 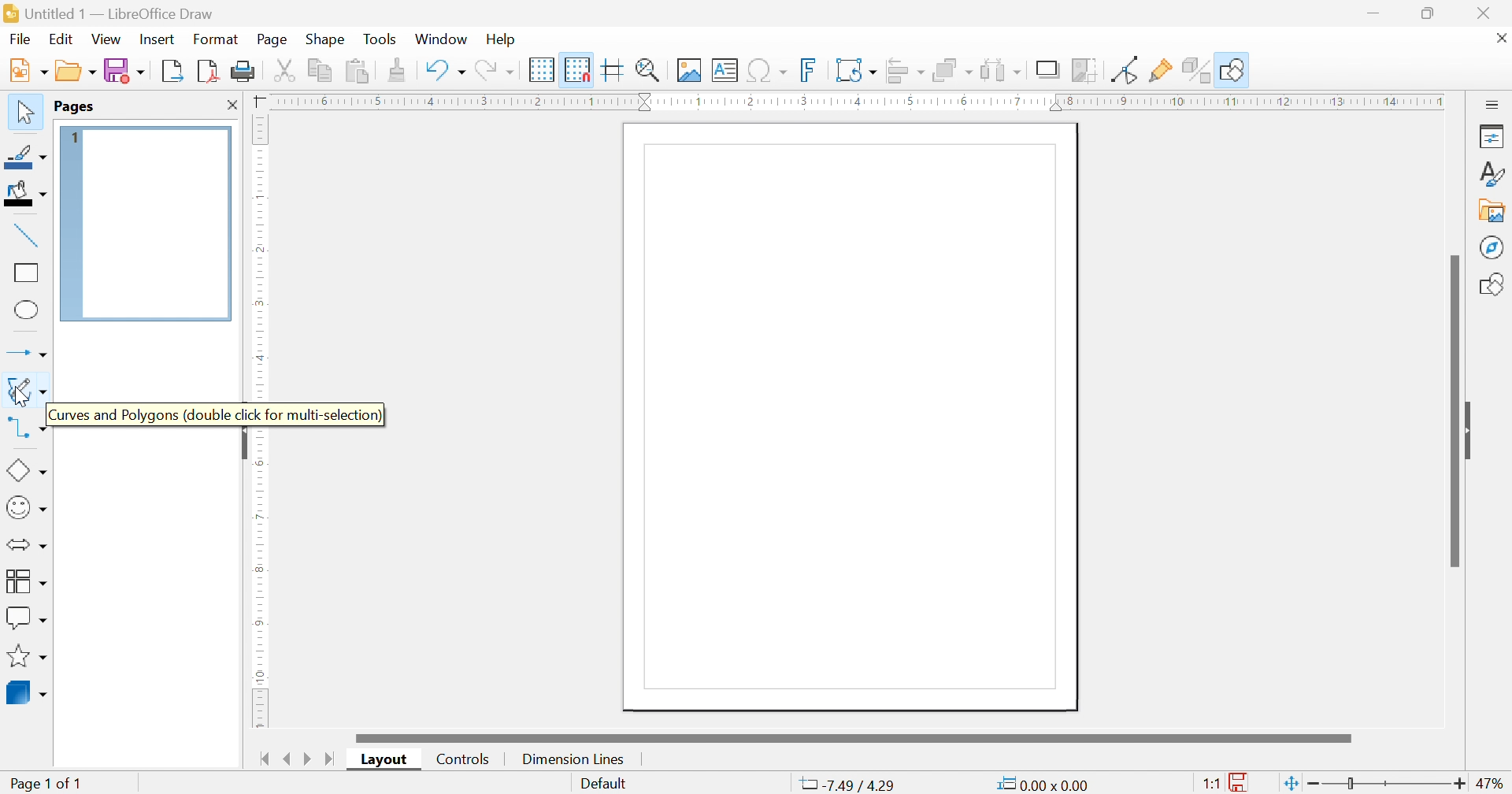 What do you see at coordinates (1429, 13) in the screenshot?
I see `restore down` at bounding box center [1429, 13].